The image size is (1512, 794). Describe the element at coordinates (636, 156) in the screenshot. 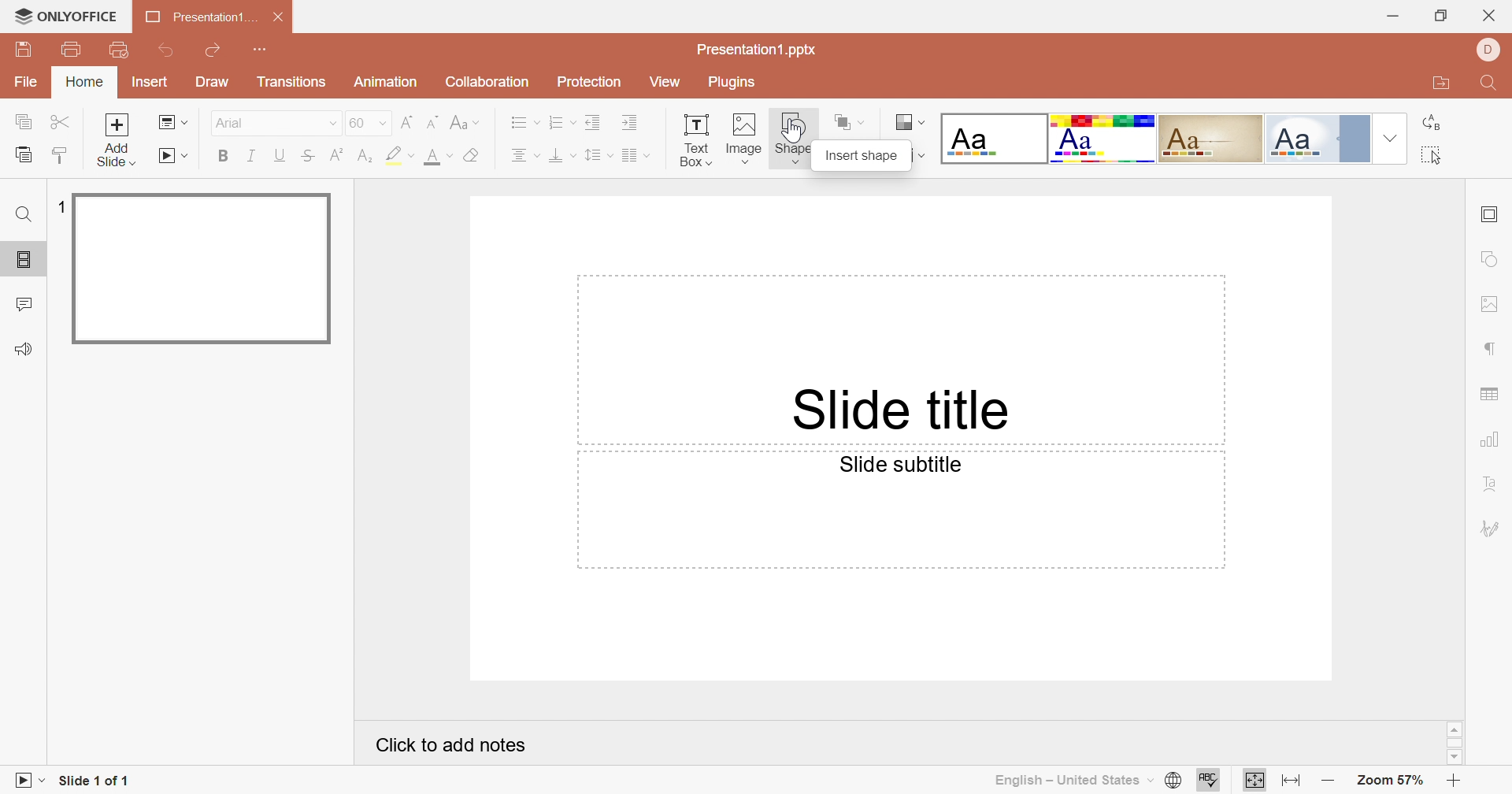

I see `Insert columns` at that location.